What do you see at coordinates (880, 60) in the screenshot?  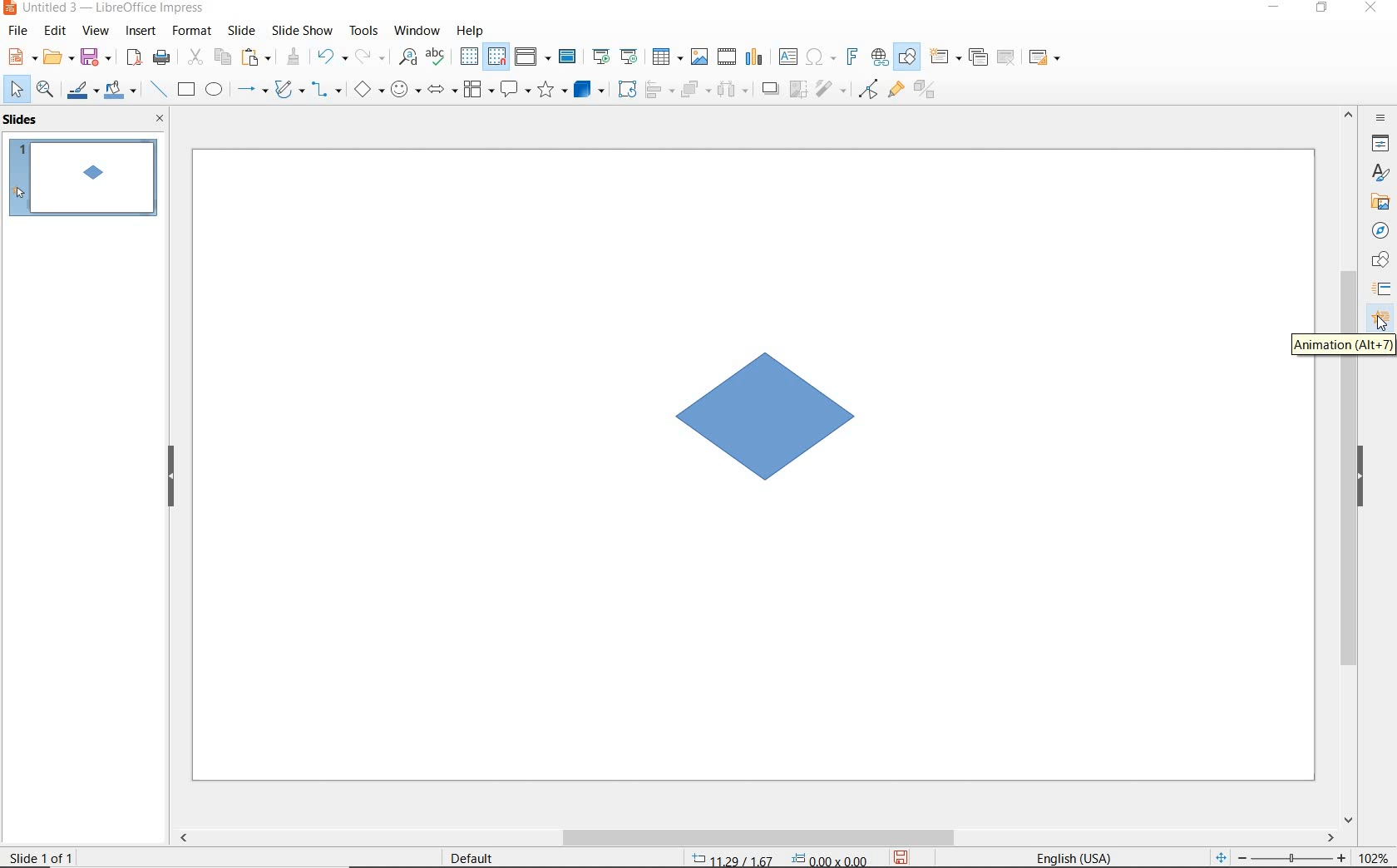 I see `insert hyperlink` at bounding box center [880, 60].